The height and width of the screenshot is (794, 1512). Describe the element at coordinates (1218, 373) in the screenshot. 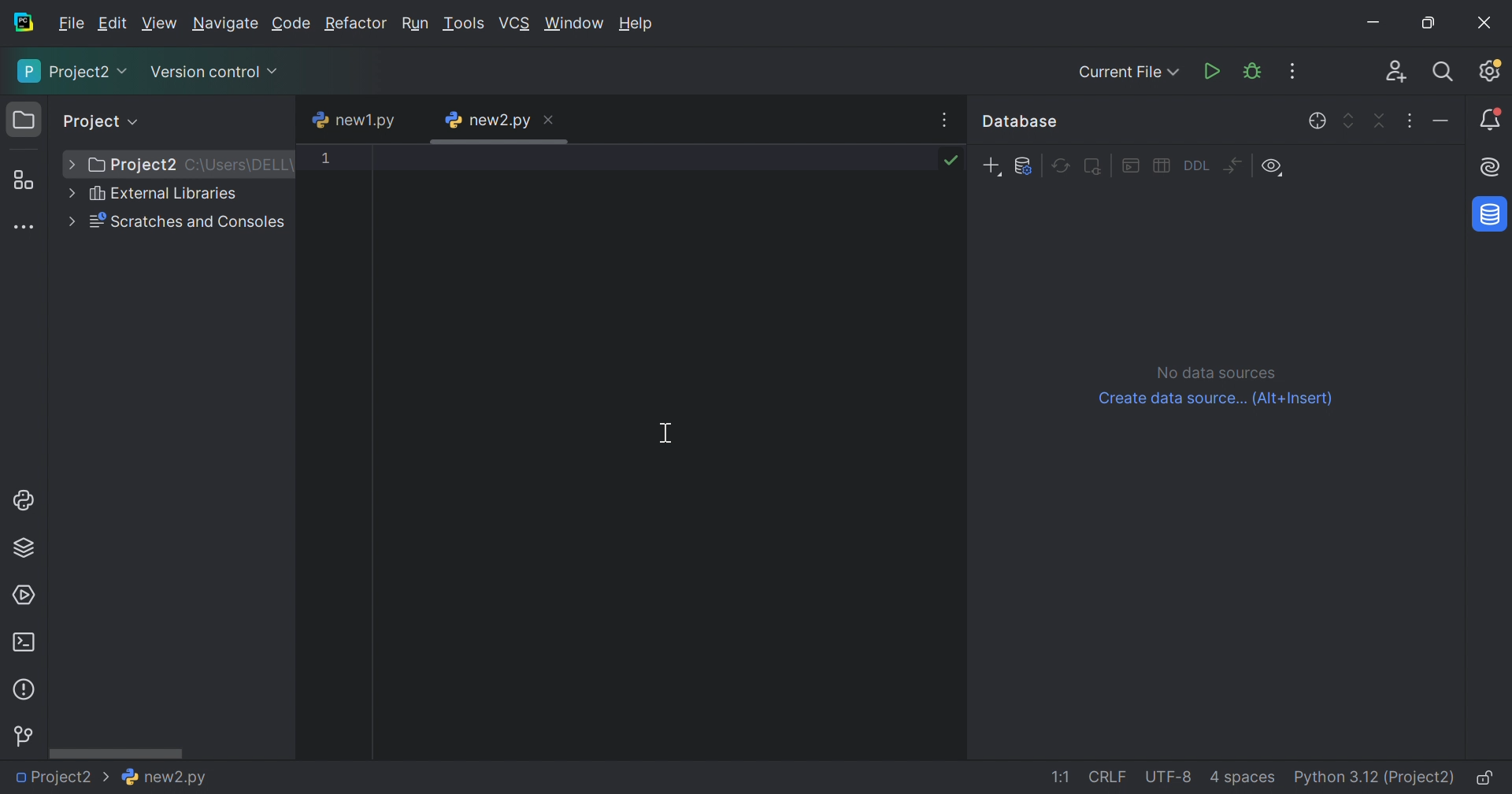

I see `No data sources` at that location.